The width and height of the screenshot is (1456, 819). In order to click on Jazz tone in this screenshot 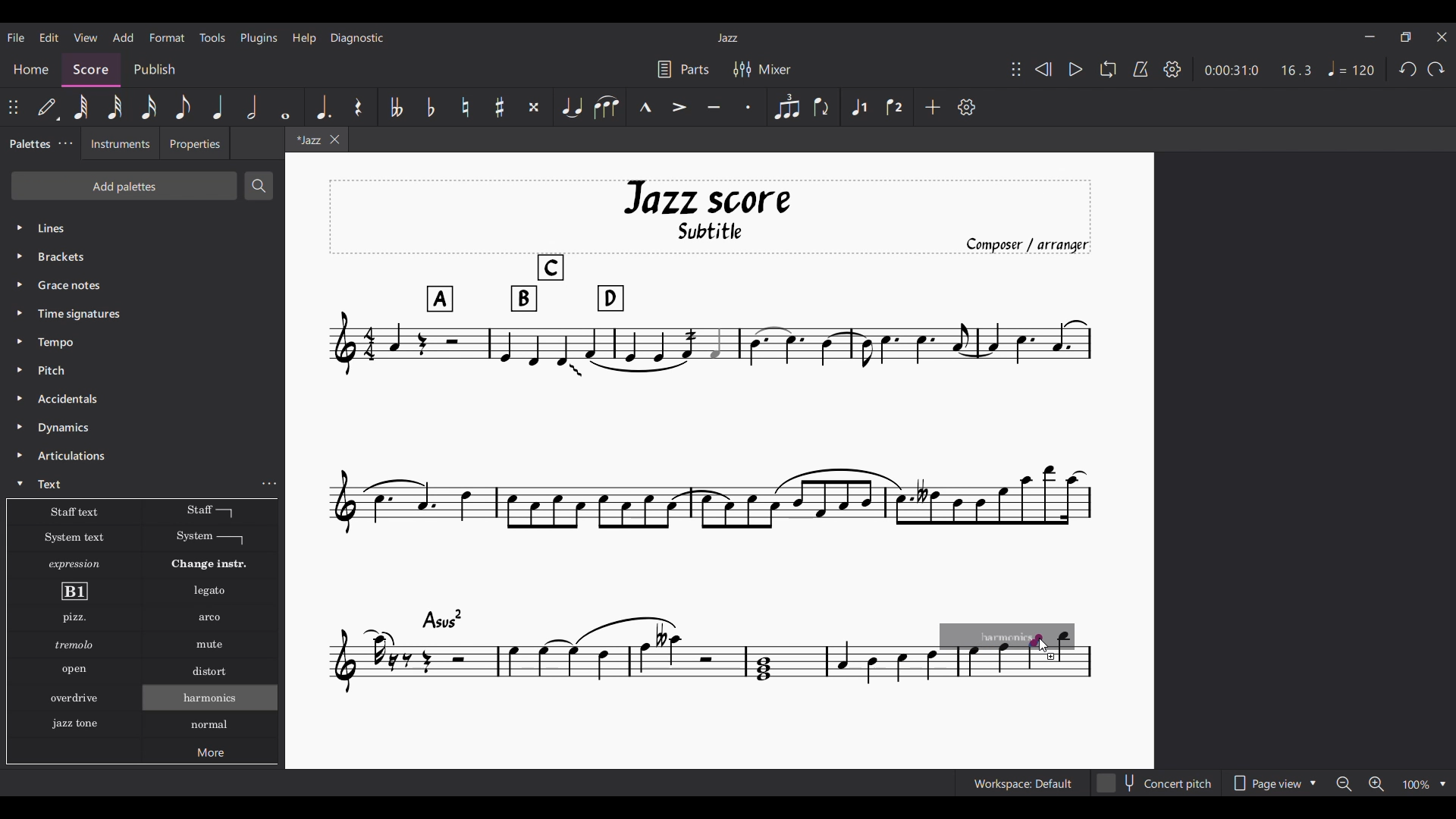, I will do `click(79, 721)`.